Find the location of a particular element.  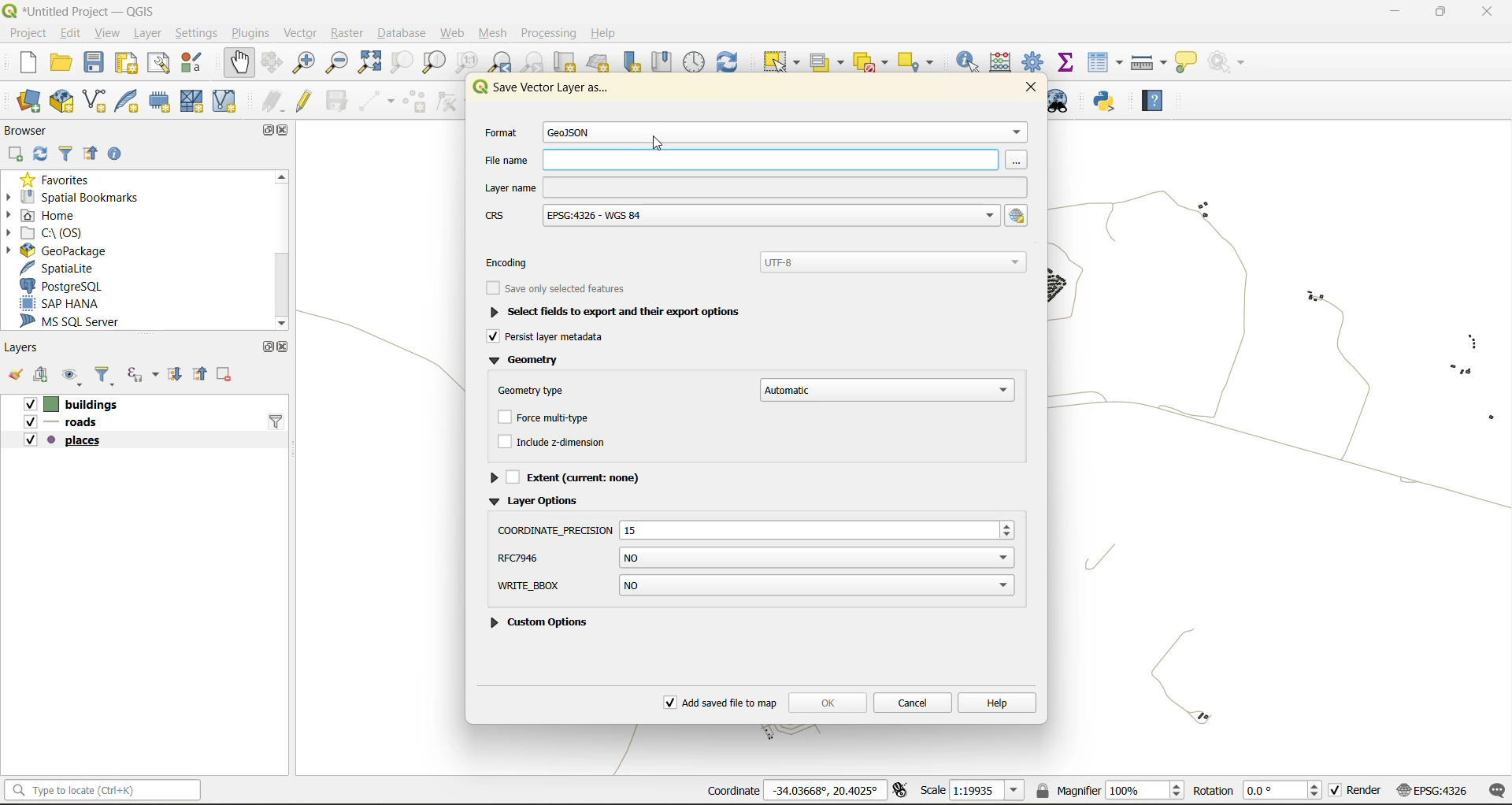

open datasource manager is located at coordinates (24, 101).